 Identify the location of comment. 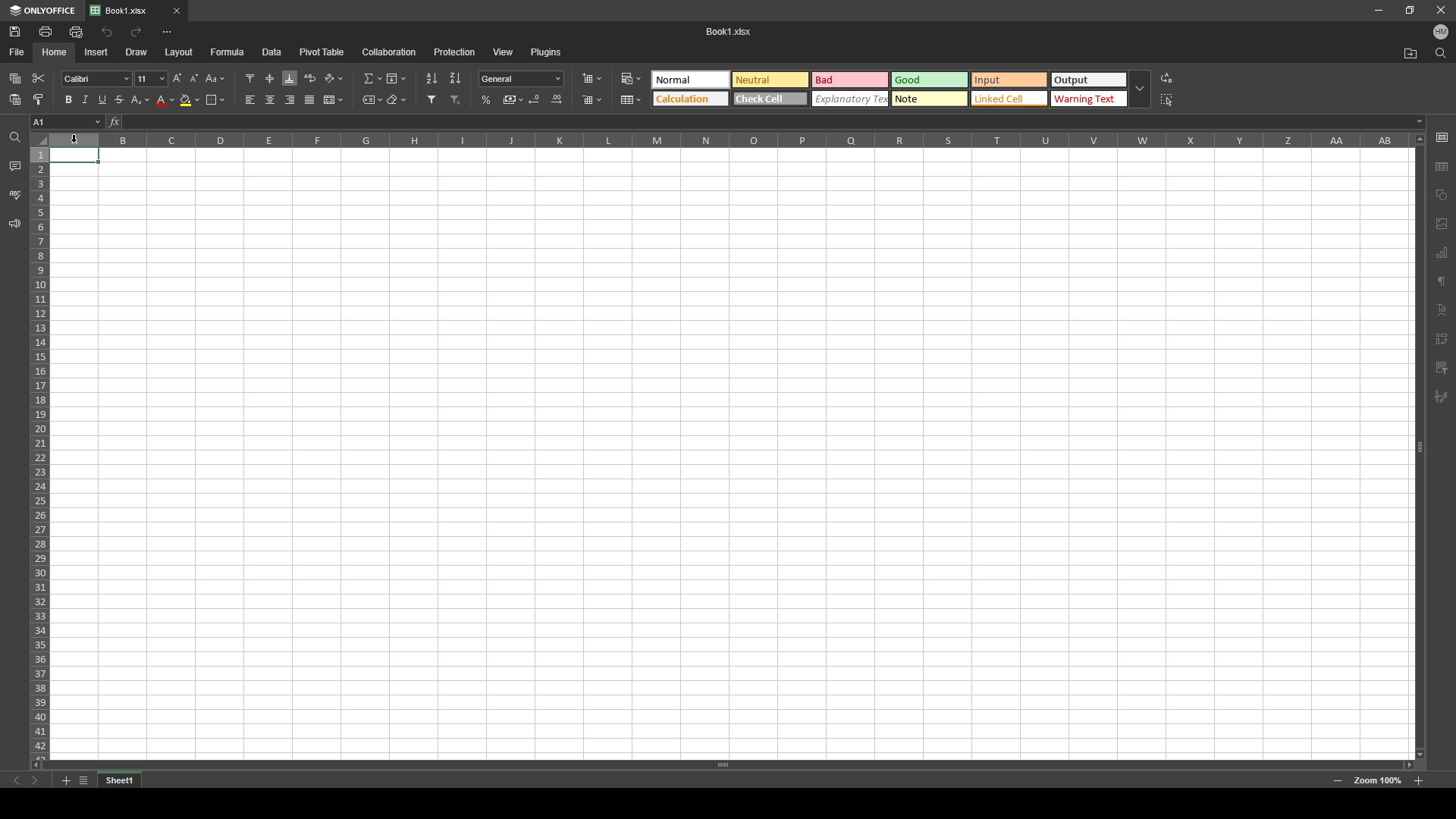
(14, 165).